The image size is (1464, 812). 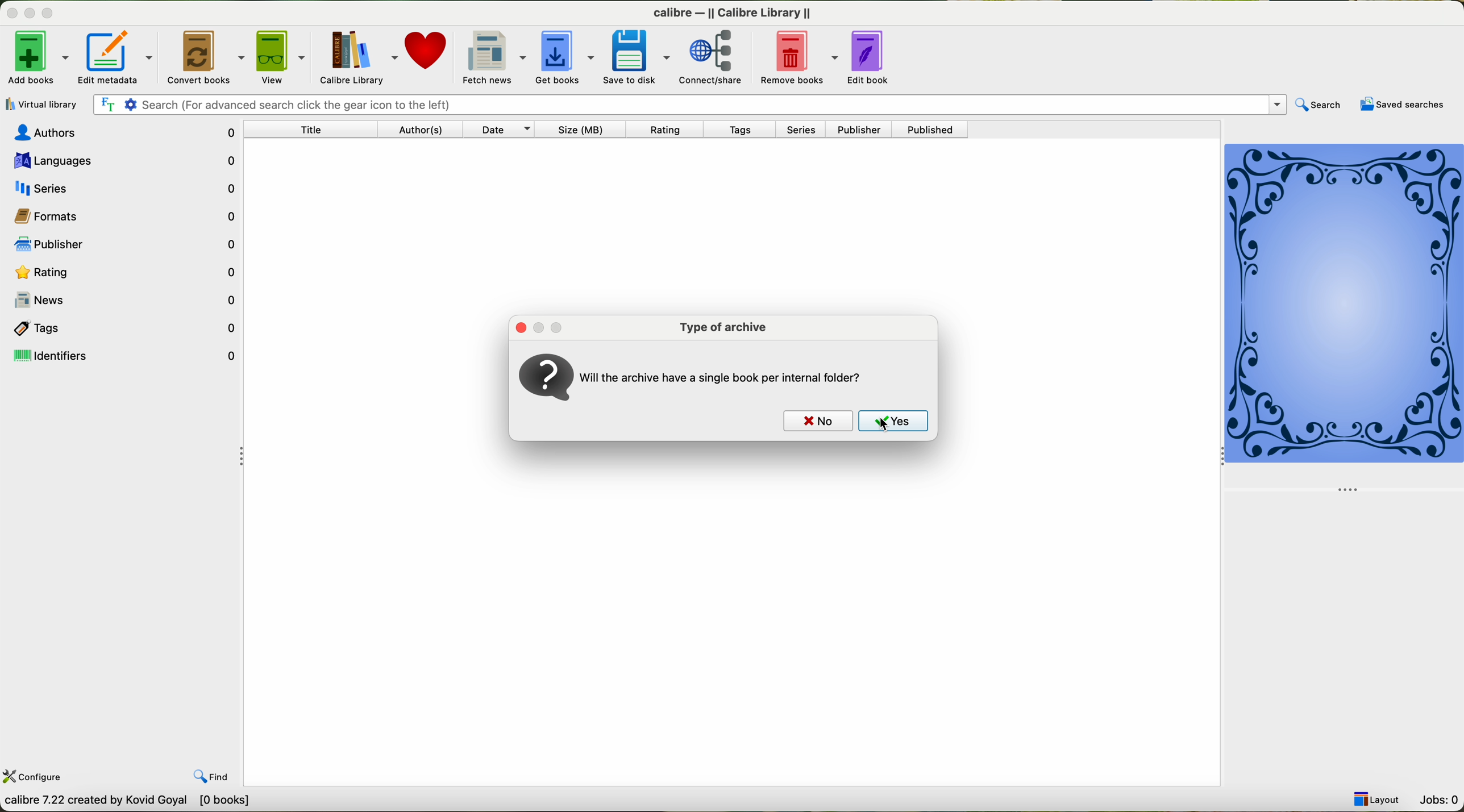 I want to click on authors, so click(x=418, y=129).